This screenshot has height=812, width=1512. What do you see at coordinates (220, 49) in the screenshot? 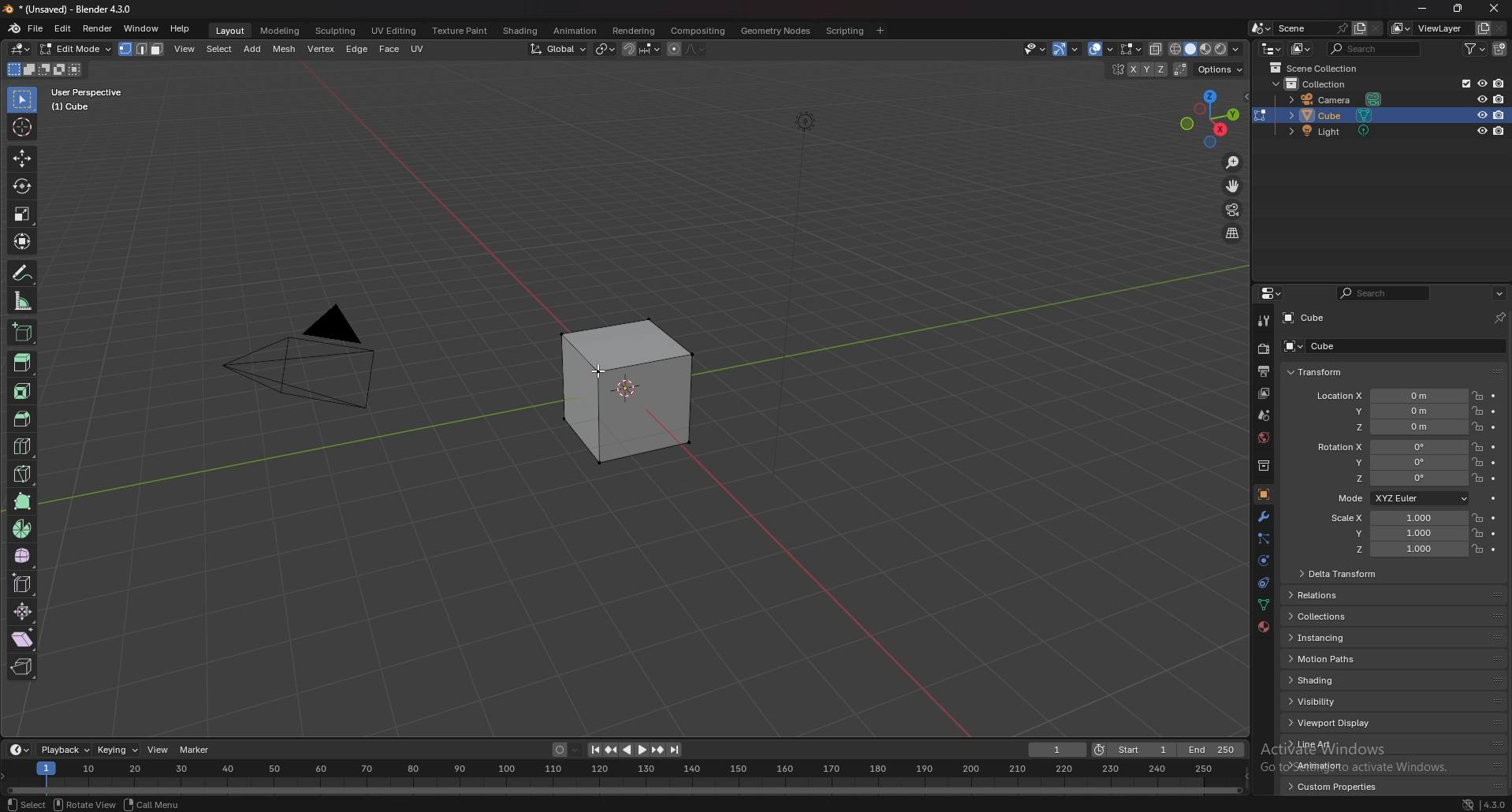
I see `select` at bounding box center [220, 49].